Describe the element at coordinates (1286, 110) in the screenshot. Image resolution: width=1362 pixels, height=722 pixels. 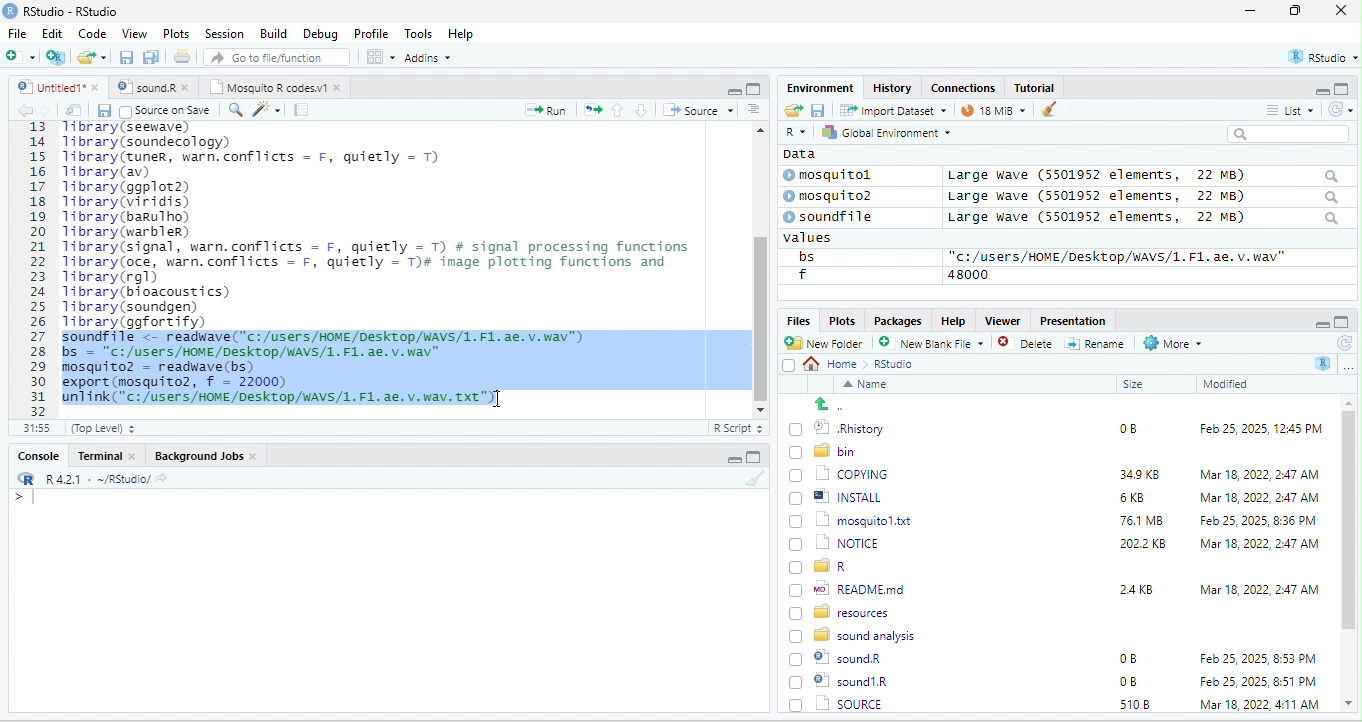
I see `= List ~` at that location.